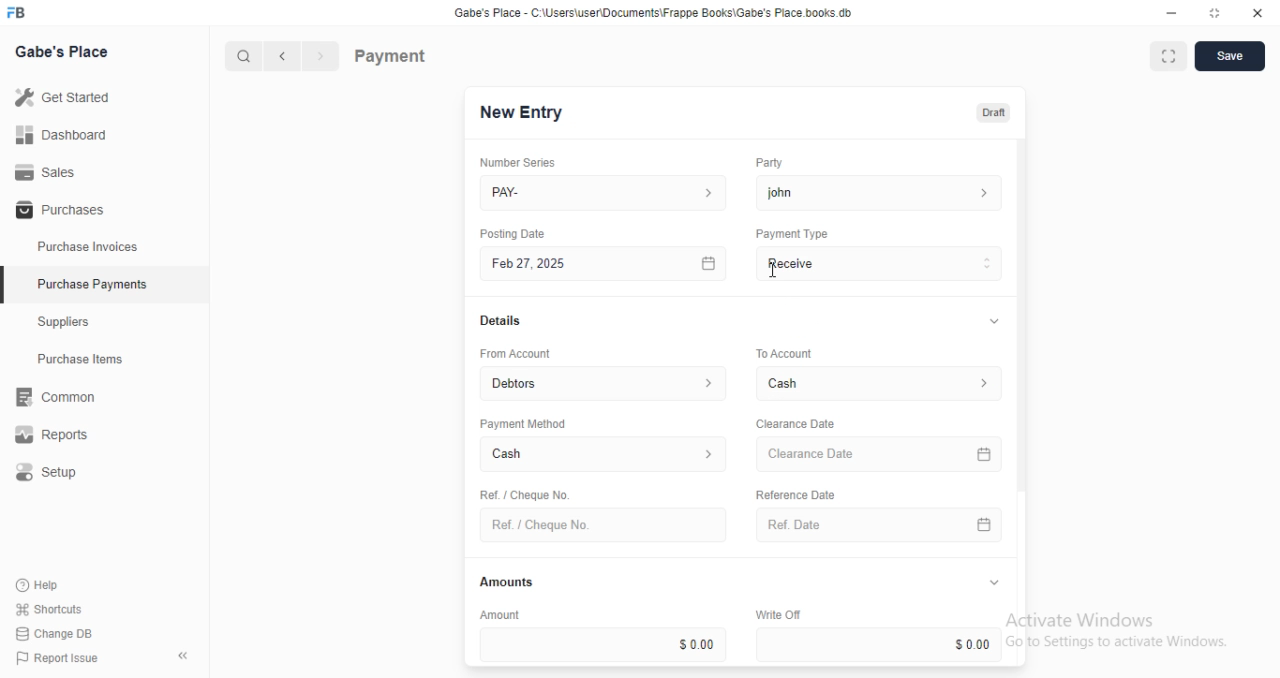 The image size is (1280, 678). I want to click on Payment Type, so click(790, 234).